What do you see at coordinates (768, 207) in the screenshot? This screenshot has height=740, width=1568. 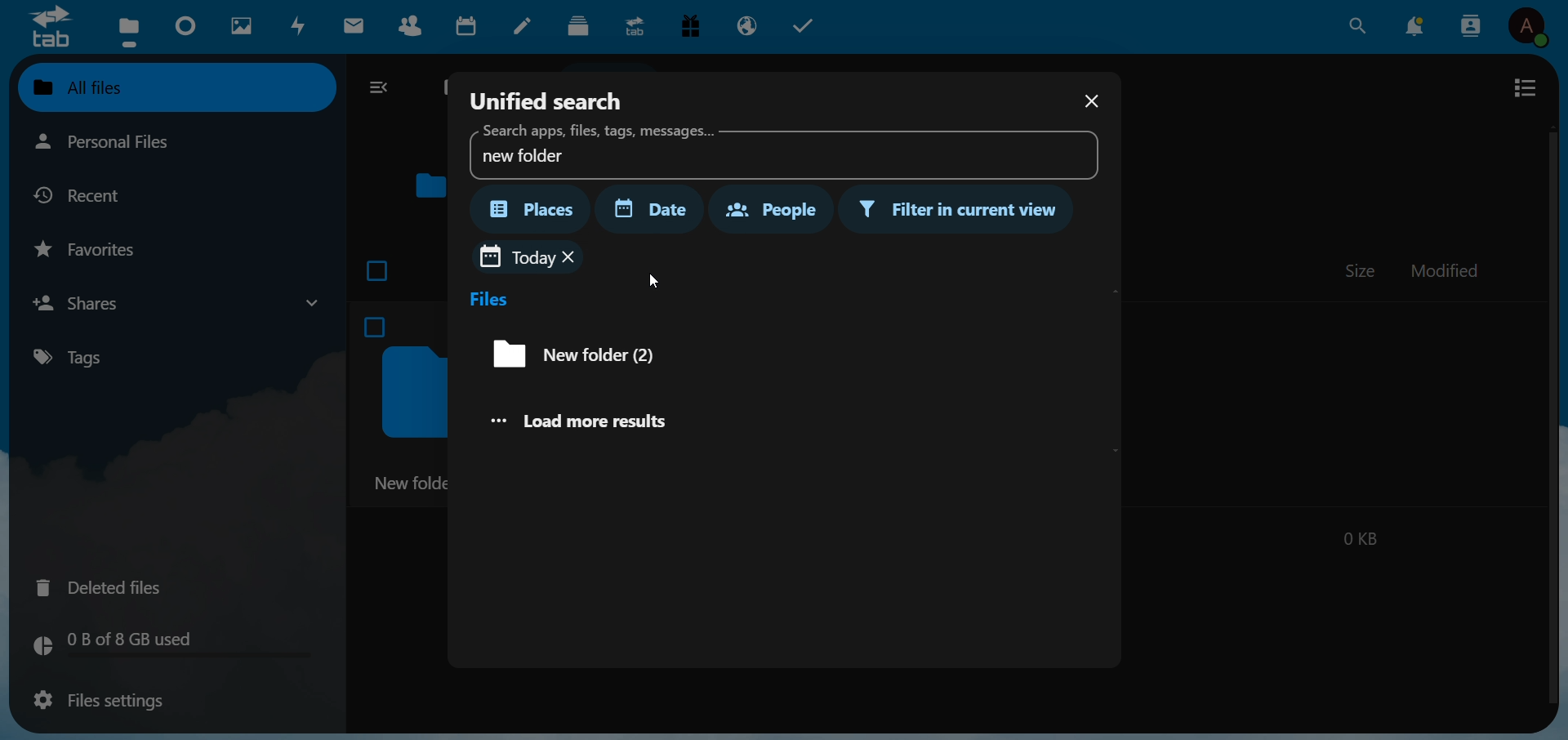 I see `people` at bounding box center [768, 207].